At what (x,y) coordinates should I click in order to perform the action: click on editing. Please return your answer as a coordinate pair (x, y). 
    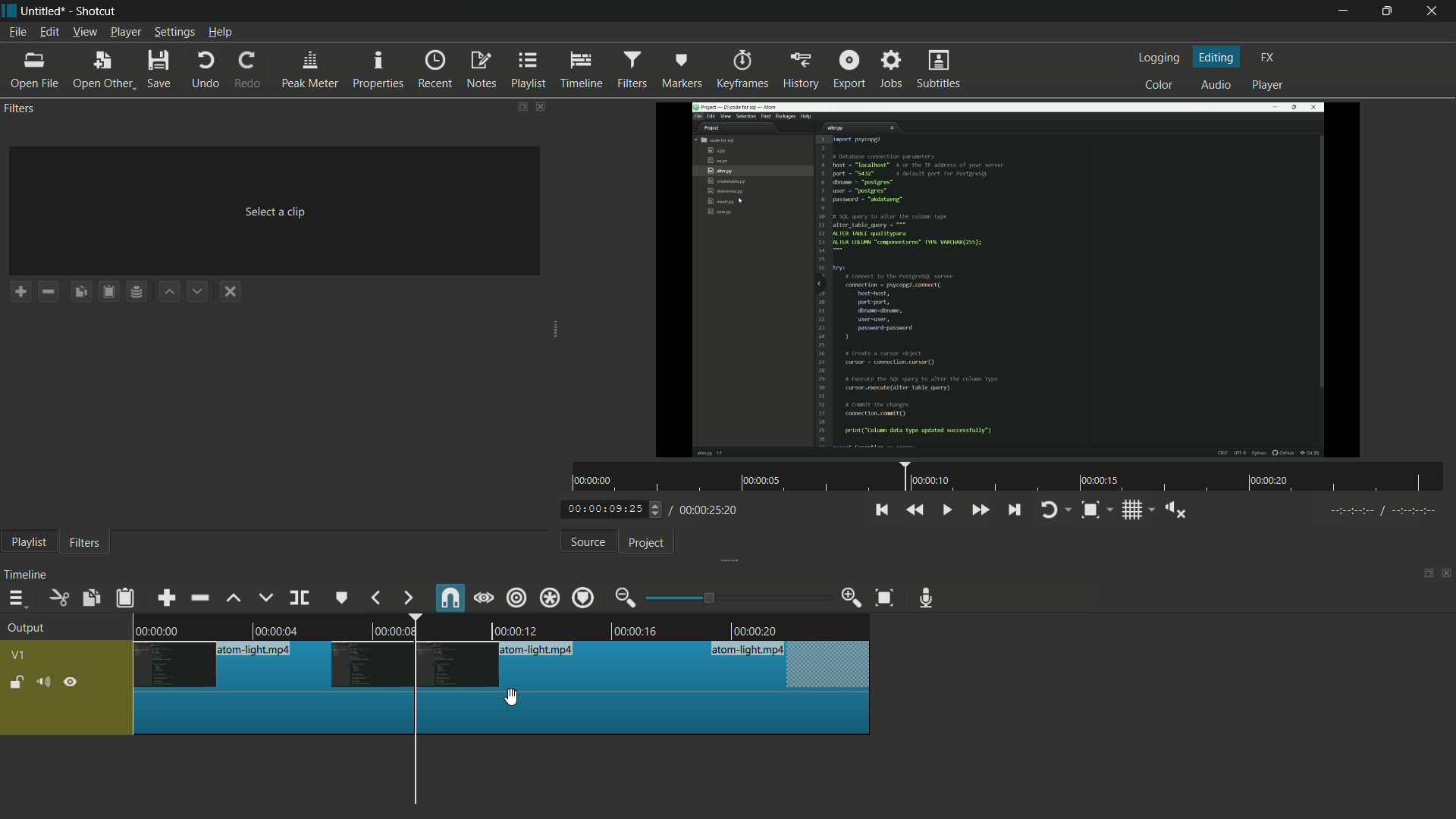
    Looking at the image, I should click on (1217, 56).